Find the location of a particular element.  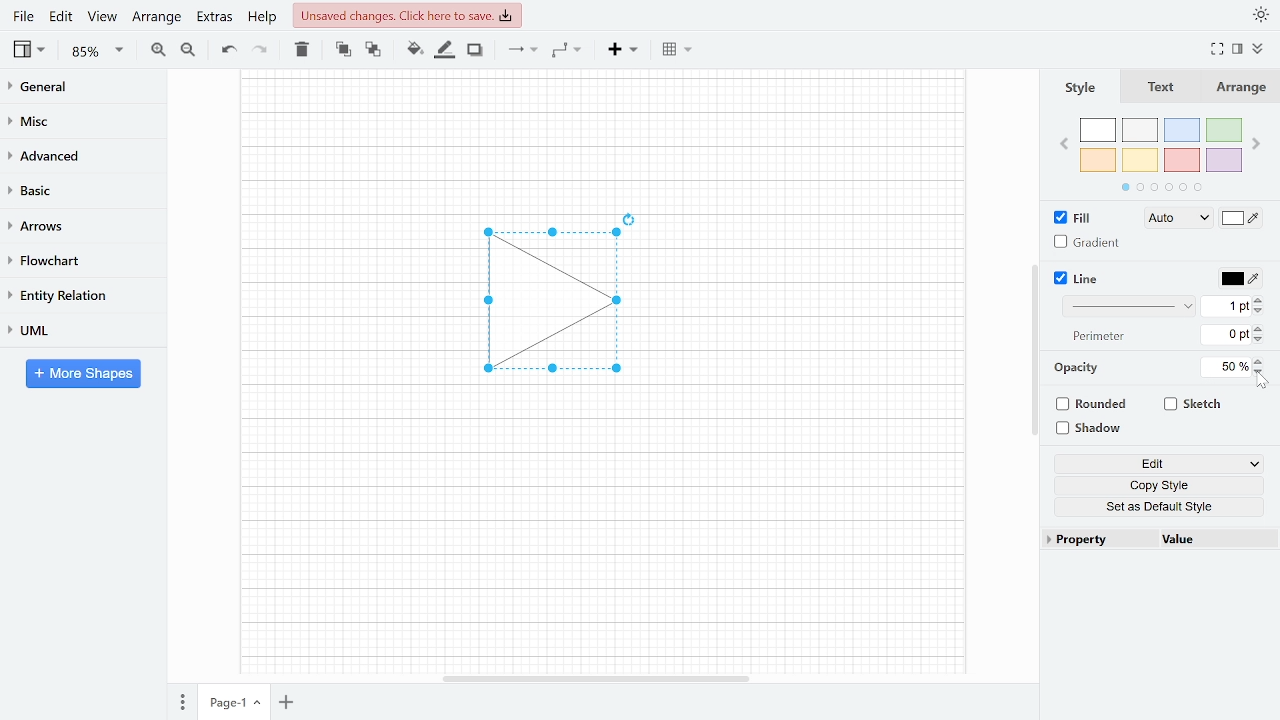

workspace is located at coordinates (601, 535).